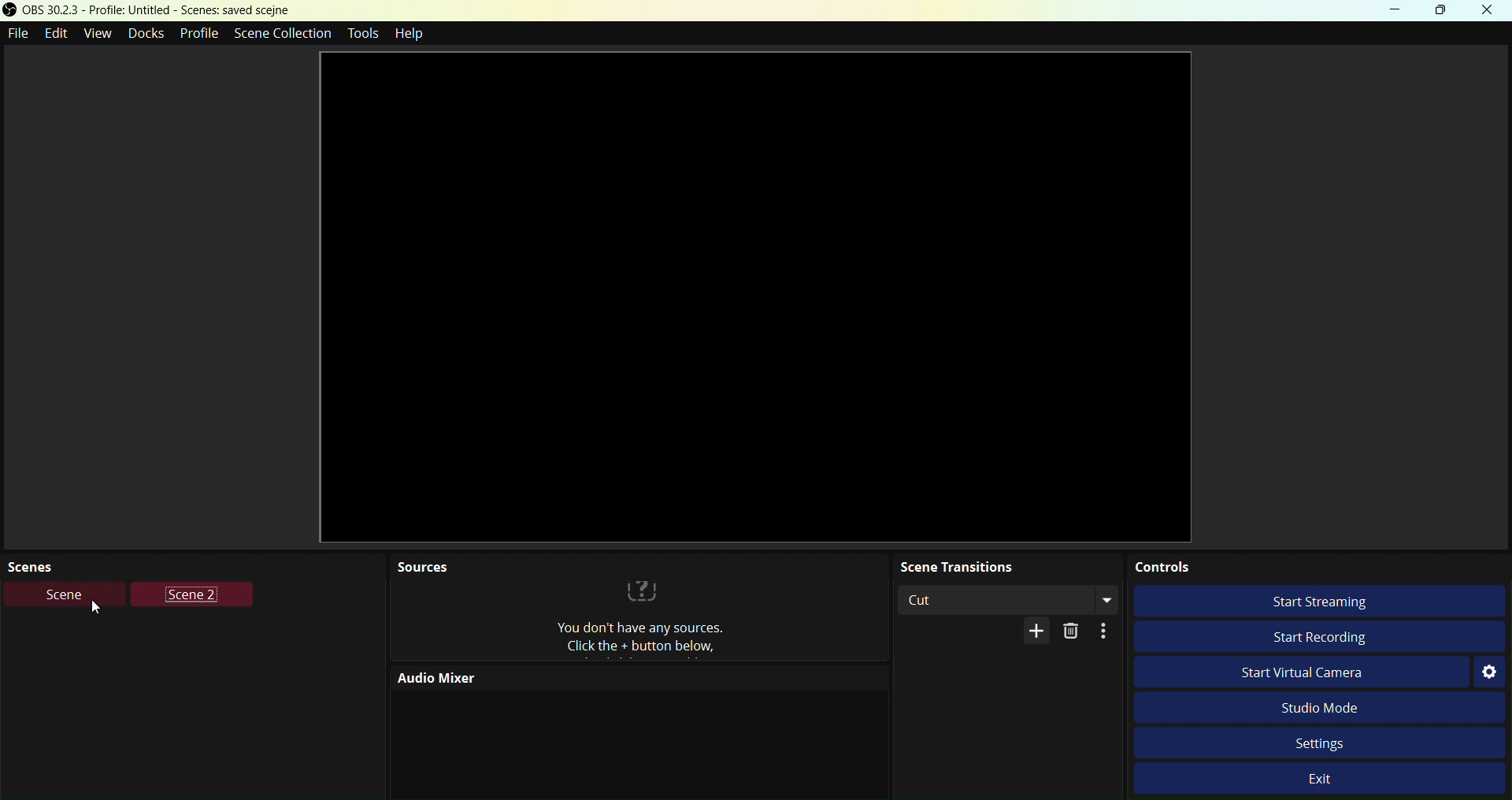 The width and height of the screenshot is (1512, 800). Describe the element at coordinates (421, 568) in the screenshot. I see `Sources` at that location.